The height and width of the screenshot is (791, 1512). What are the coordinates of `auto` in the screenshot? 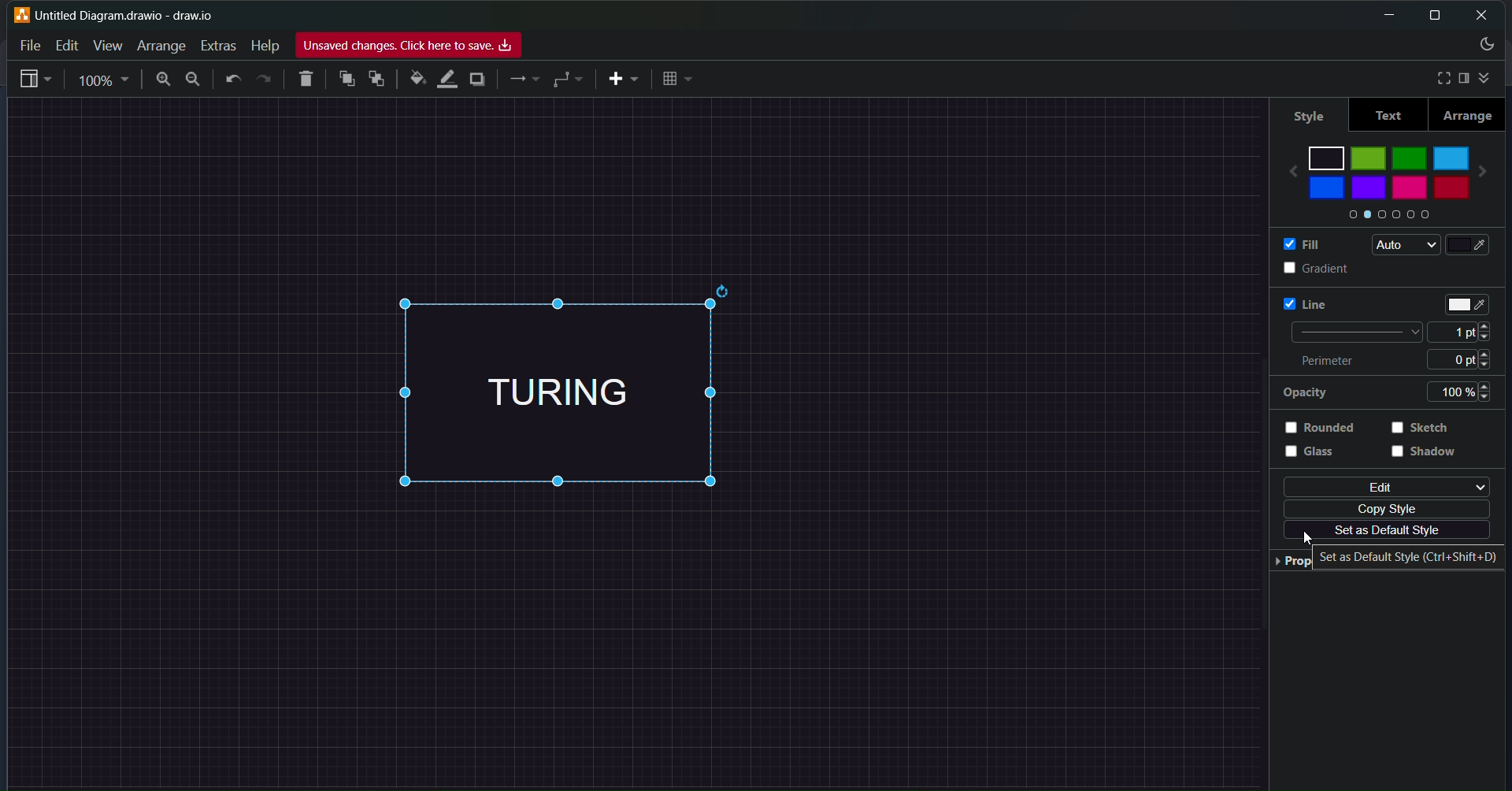 It's located at (1401, 245).